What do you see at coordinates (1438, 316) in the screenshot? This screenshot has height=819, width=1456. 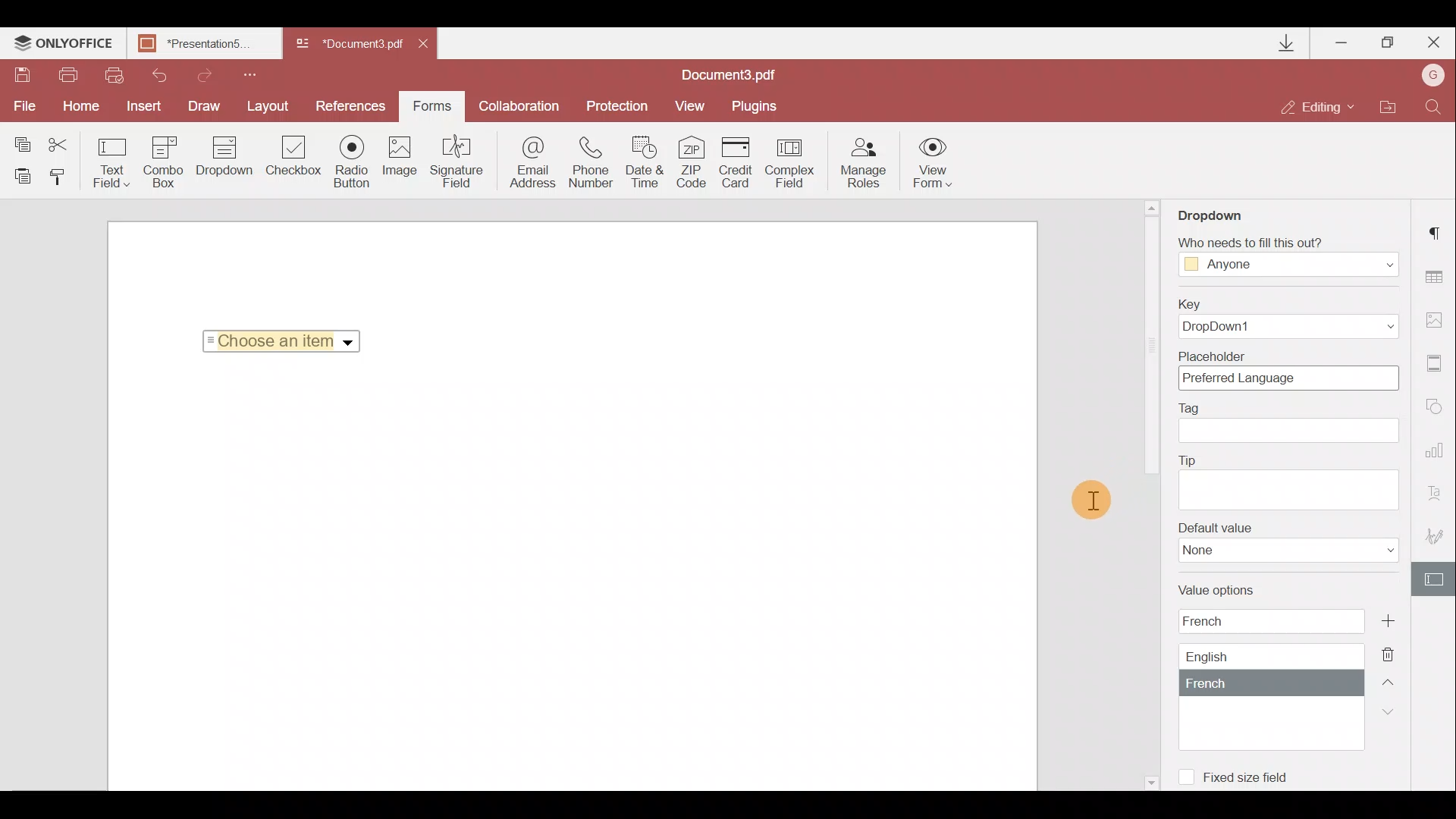 I see `Image settings` at bounding box center [1438, 316].